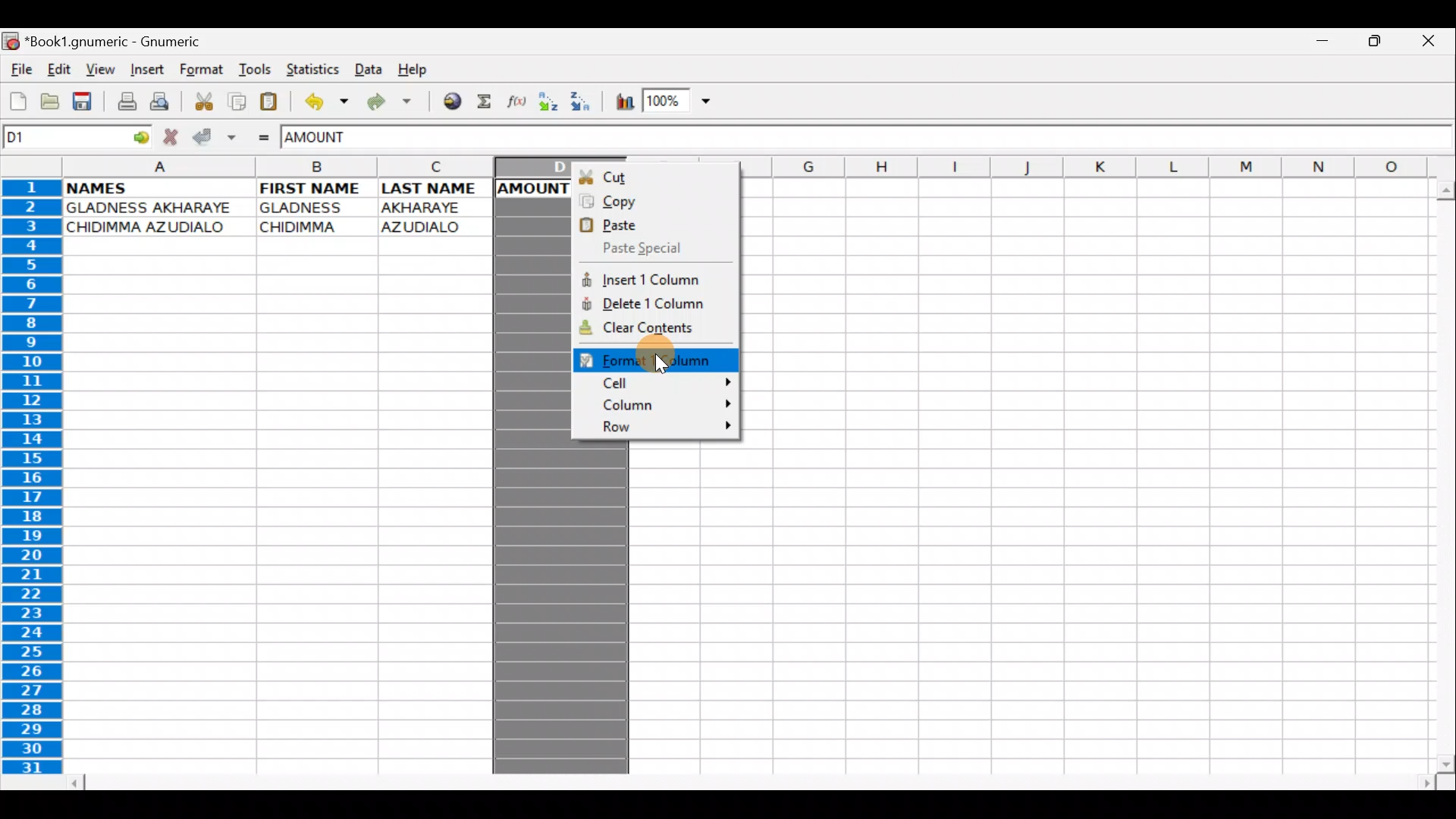 The height and width of the screenshot is (819, 1456). I want to click on Gnumeric logo, so click(11, 41).